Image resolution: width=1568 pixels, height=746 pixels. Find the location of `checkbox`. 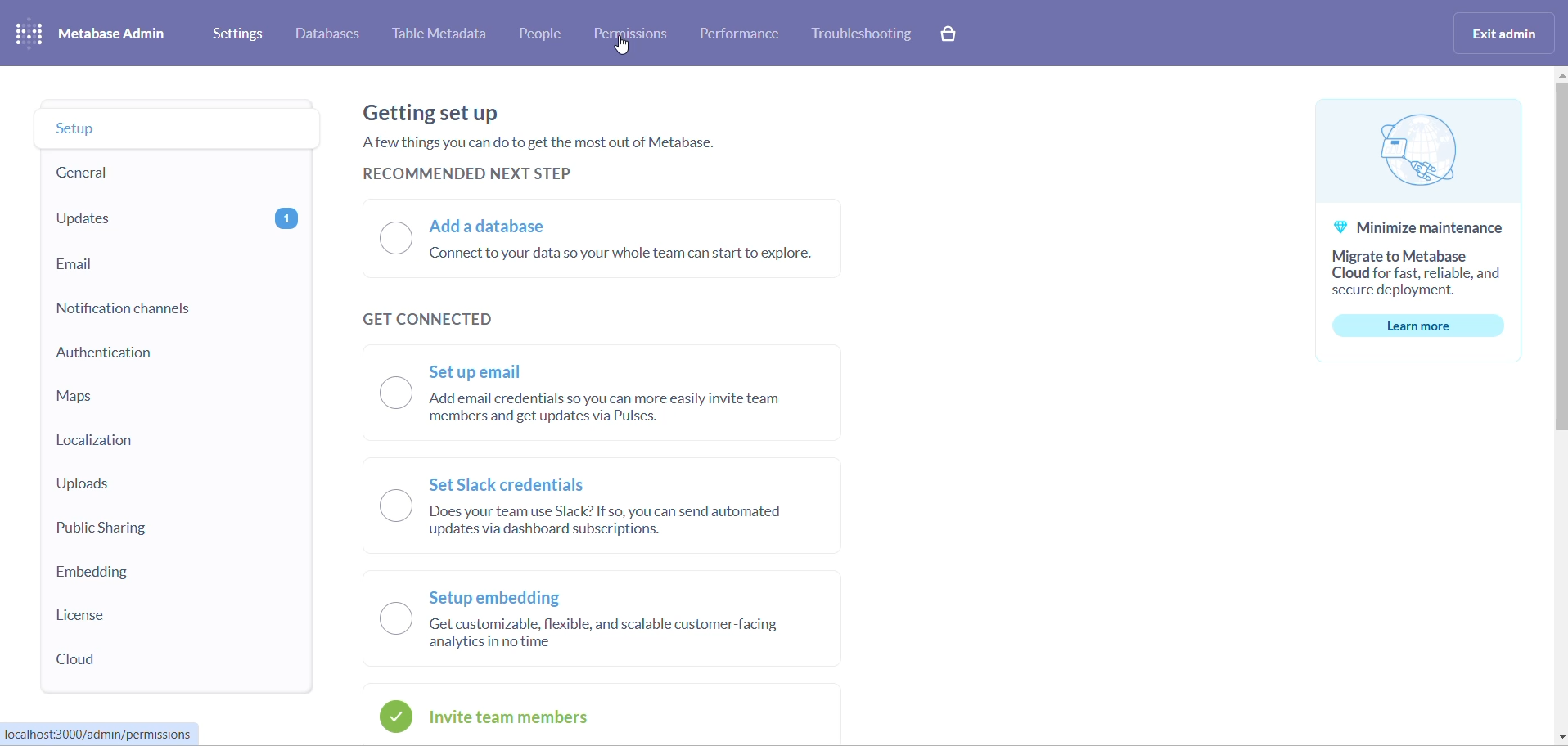

checkbox is located at coordinates (396, 237).